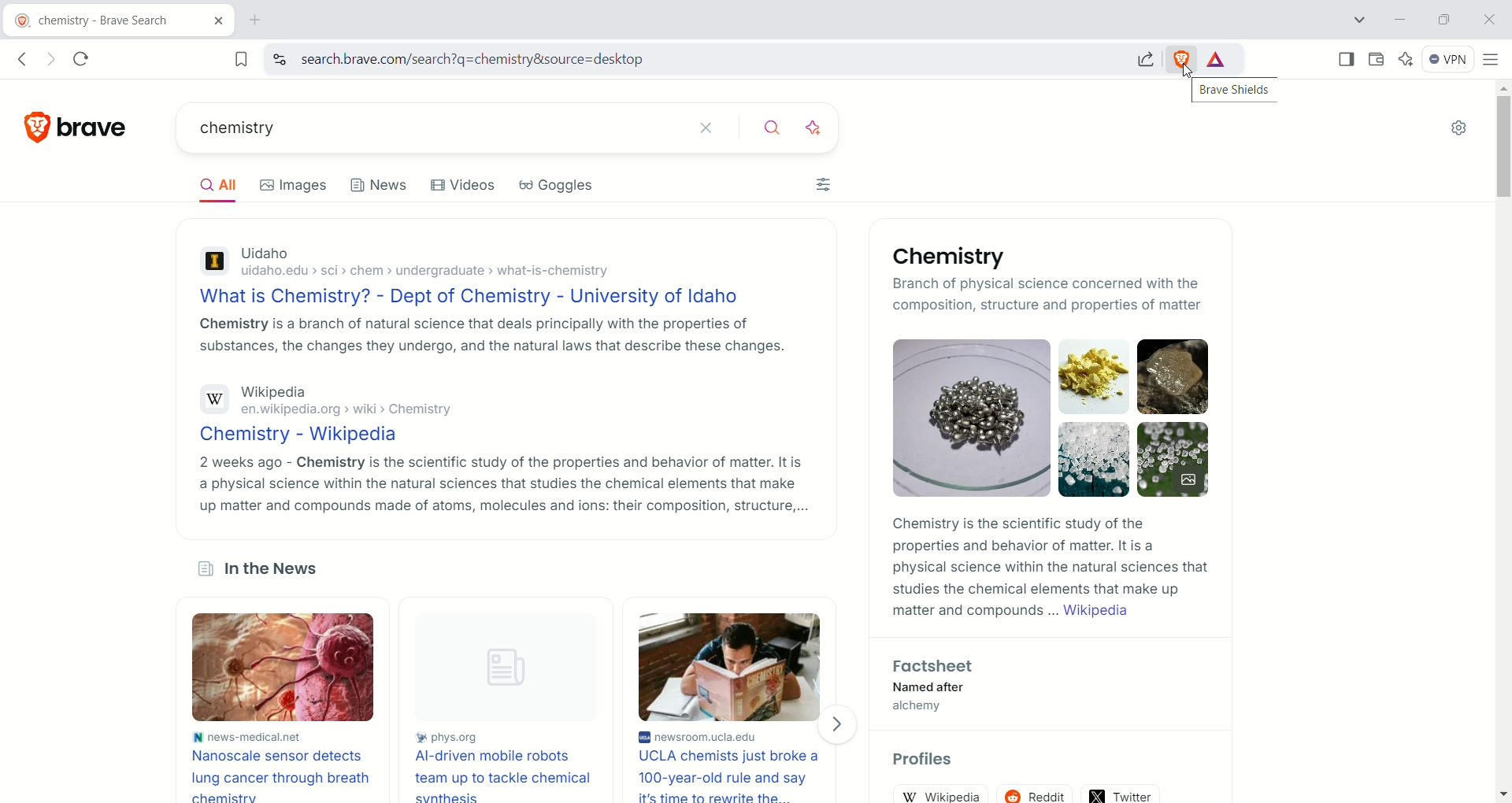  What do you see at coordinates (1183, 58) in the screenshot?
I see `Brave shield` at bounding box center [1183, 58].